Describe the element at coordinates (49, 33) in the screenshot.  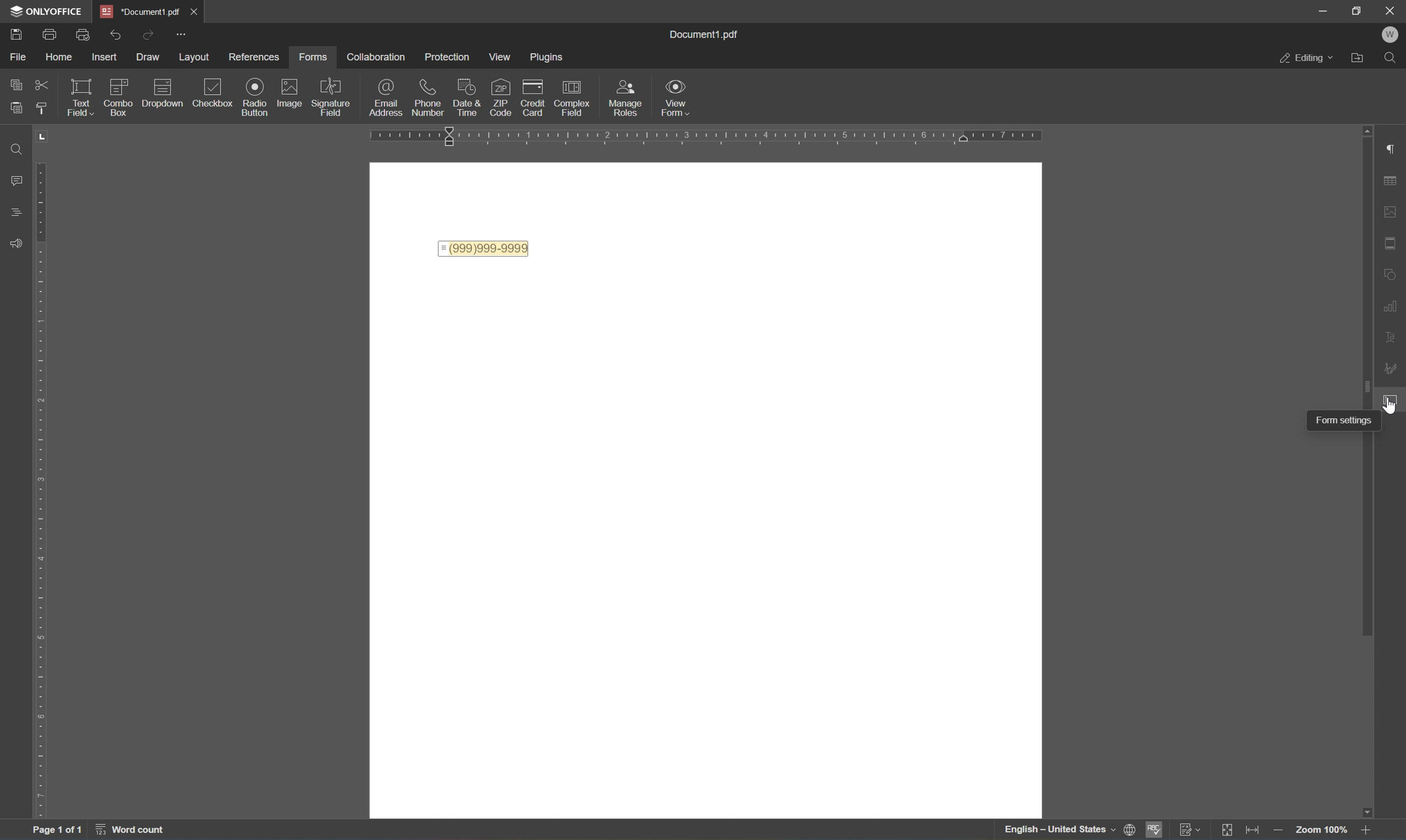
I see `print` at that location.